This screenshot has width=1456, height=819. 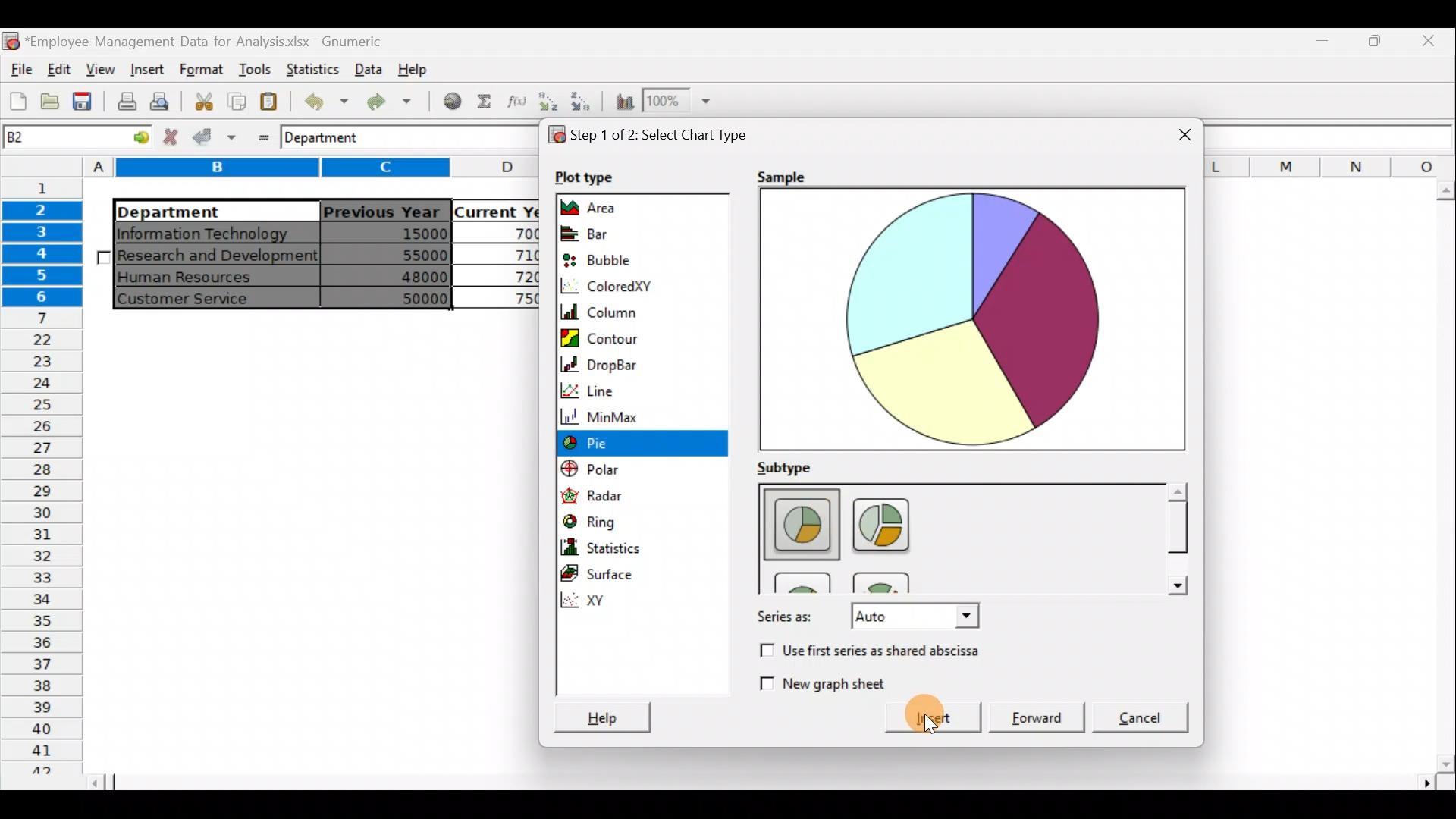 I want to click on ColoredXY, so click(x=616, y=286).